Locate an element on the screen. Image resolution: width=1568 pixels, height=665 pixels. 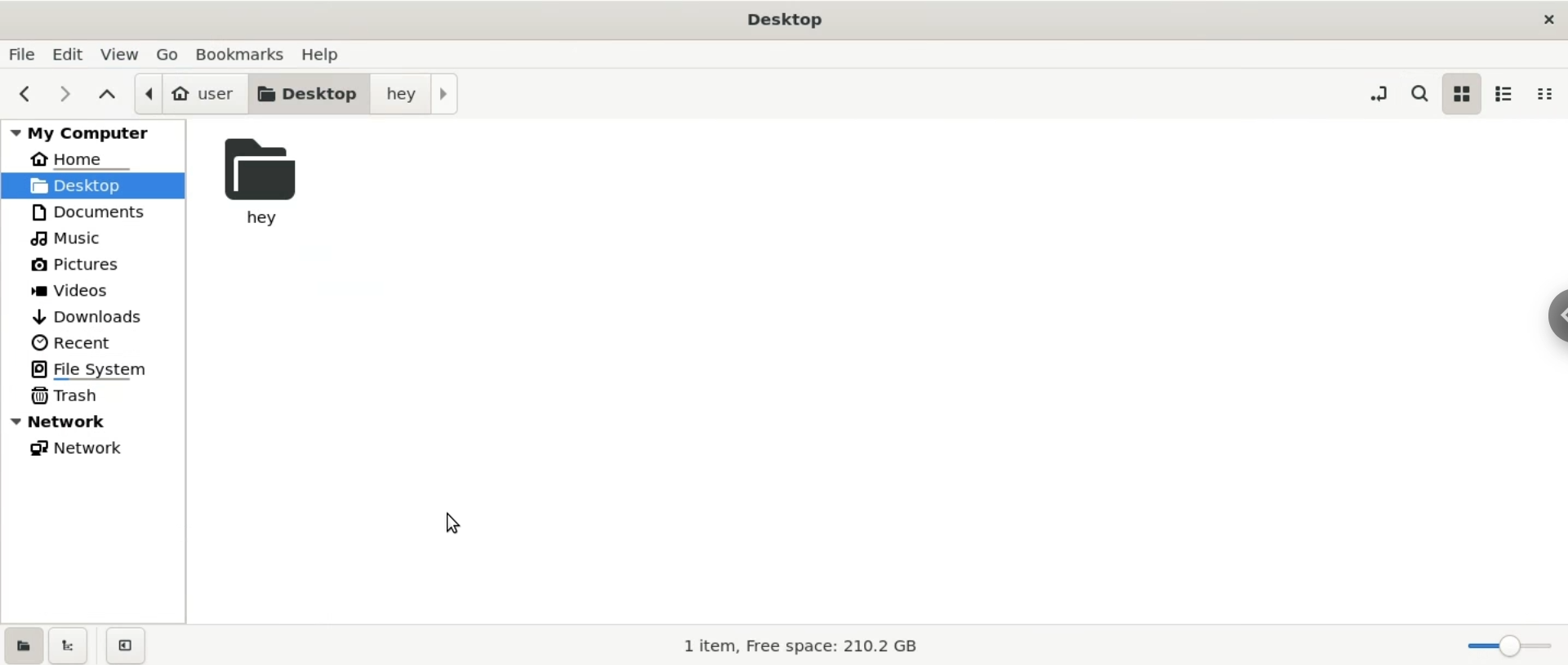
hey is located at coordinates (262, 185).